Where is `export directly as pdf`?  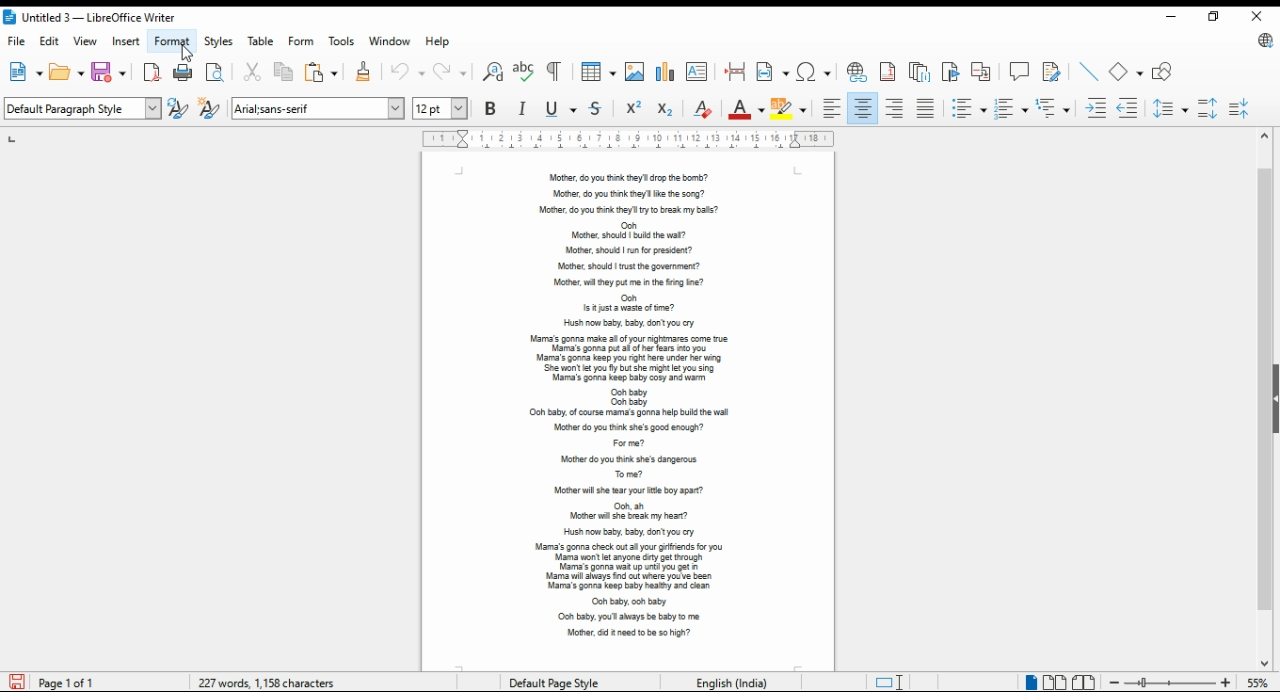 export directly as pdf is located at coordinates (151, 71).